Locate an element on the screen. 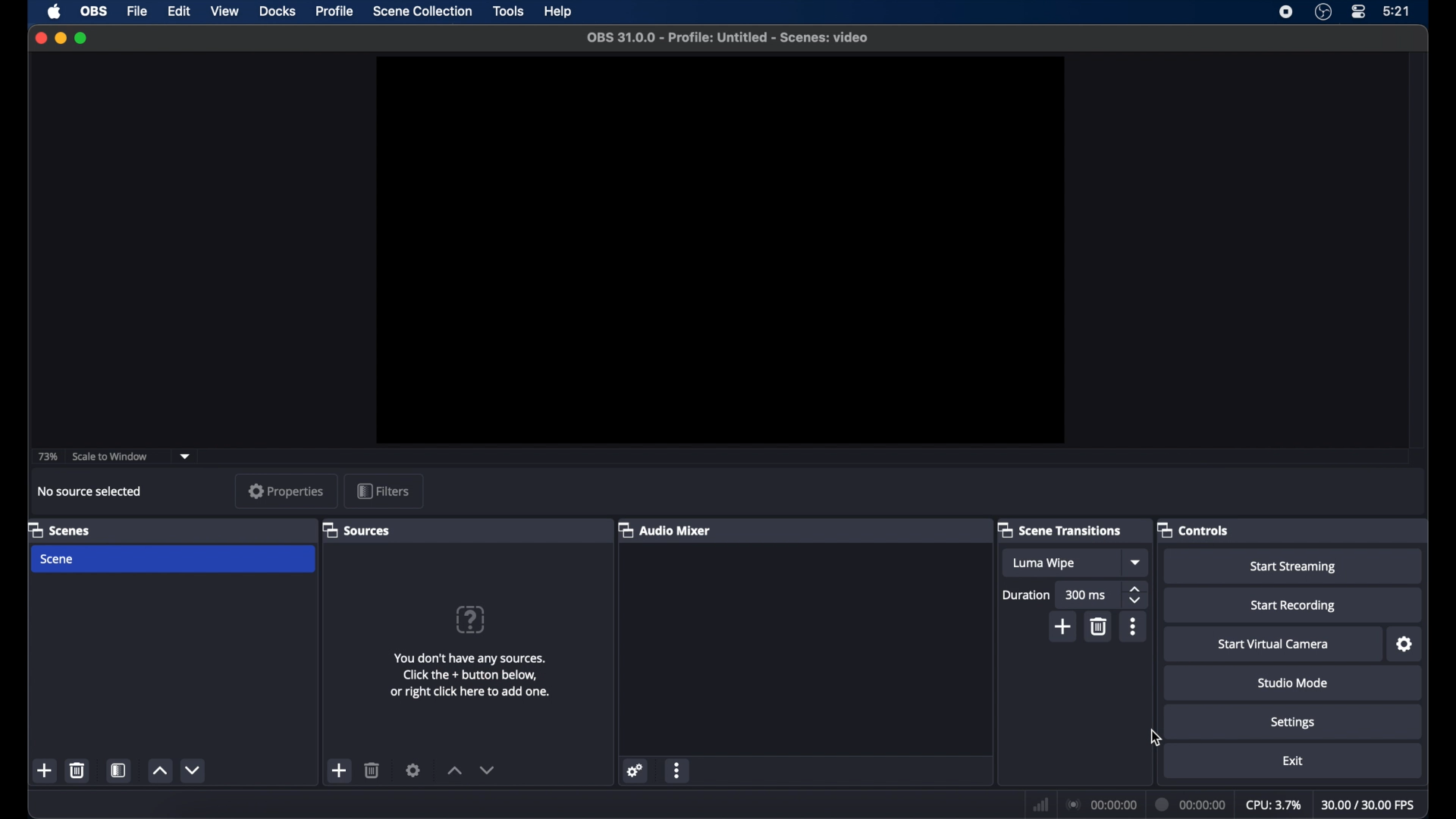 The width and height of the screenshot is (1456, 819). sources is located at coordinates (355, 529).